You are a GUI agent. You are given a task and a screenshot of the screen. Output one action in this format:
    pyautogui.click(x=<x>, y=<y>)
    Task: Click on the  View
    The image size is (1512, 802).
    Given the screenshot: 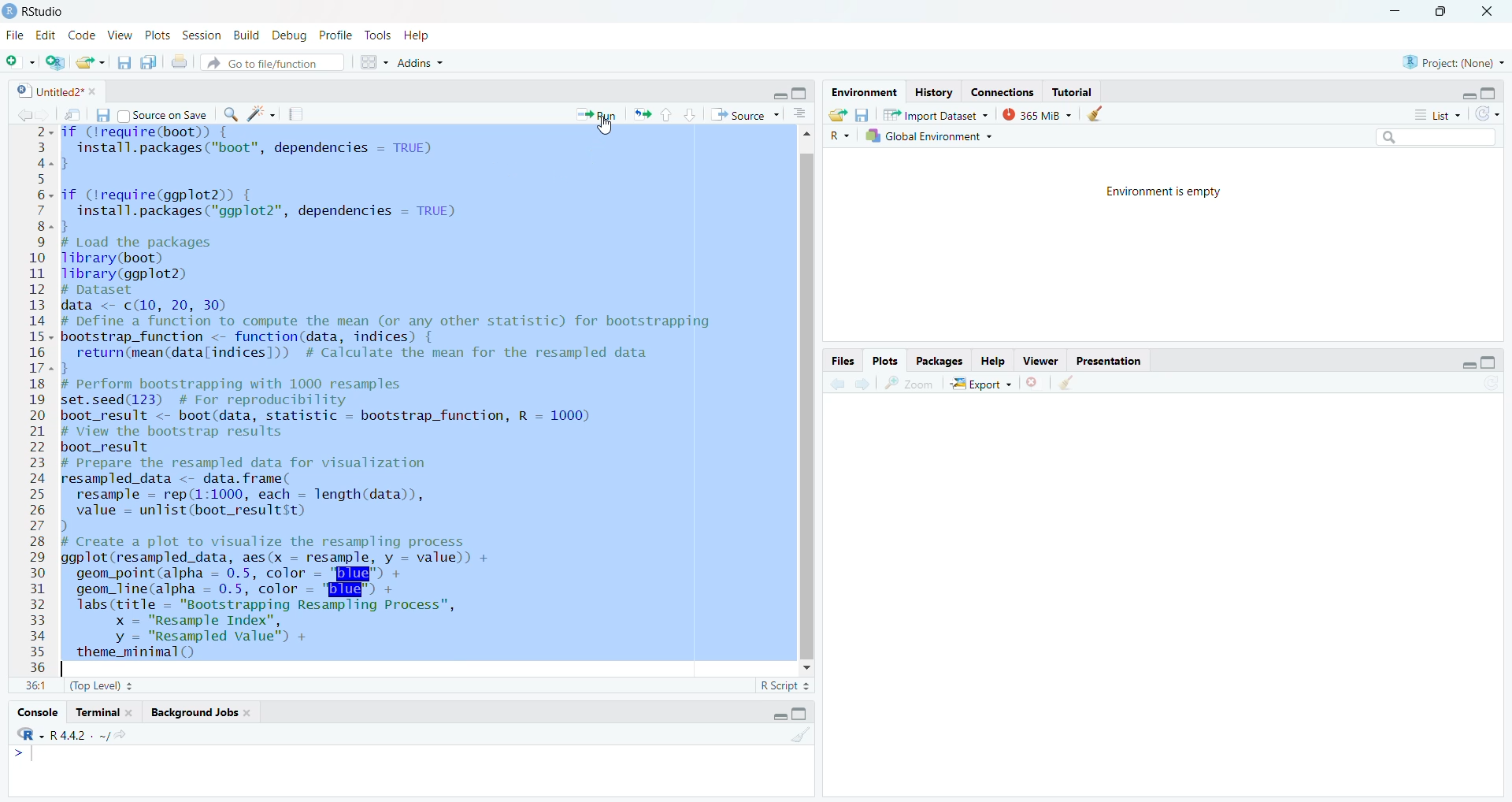 What is the action you would take?
    pyautogui.click(x=120, y=36)
    